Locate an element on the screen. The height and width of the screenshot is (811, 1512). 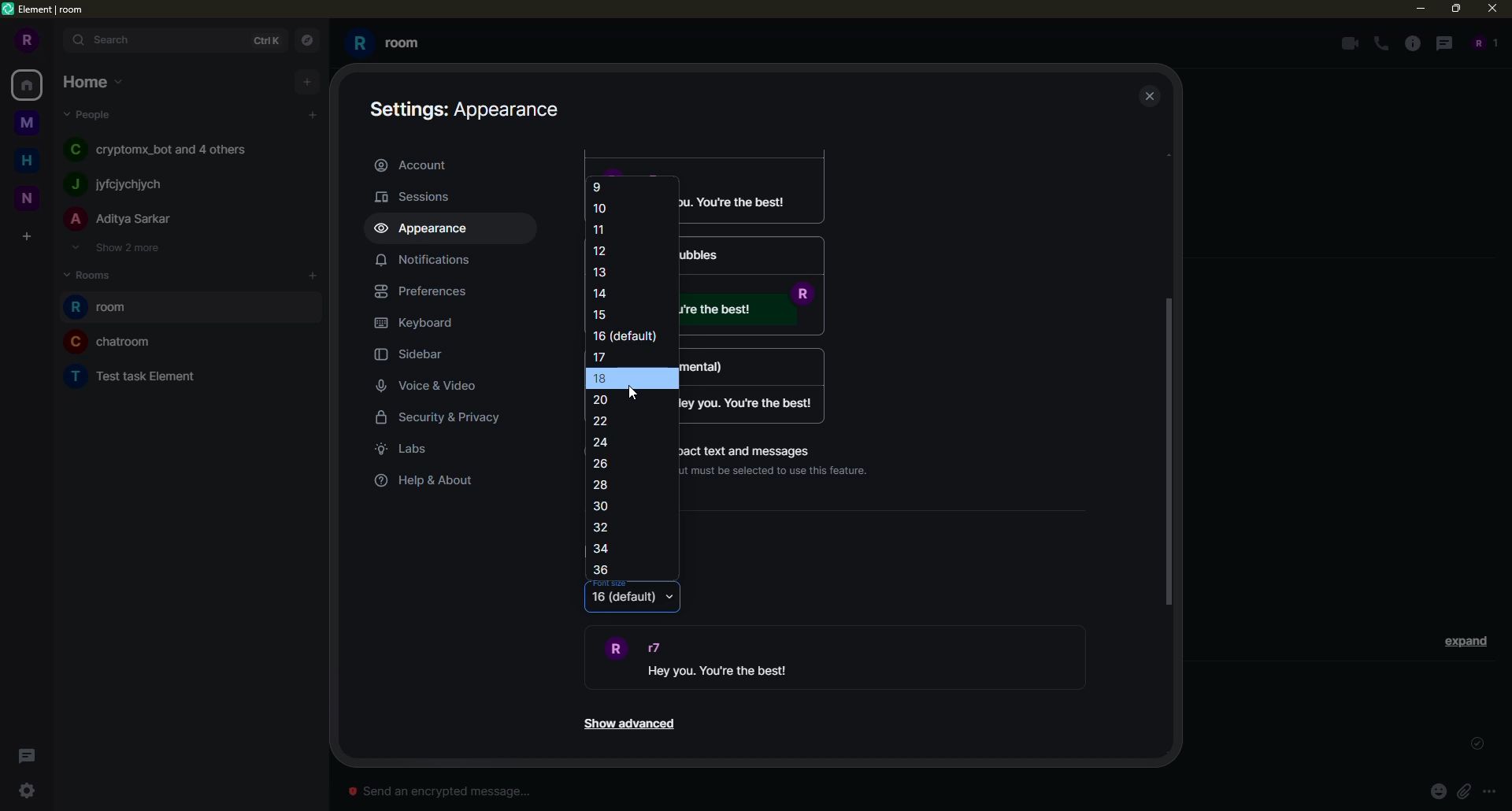
24 is located at coordinates (602, 443).